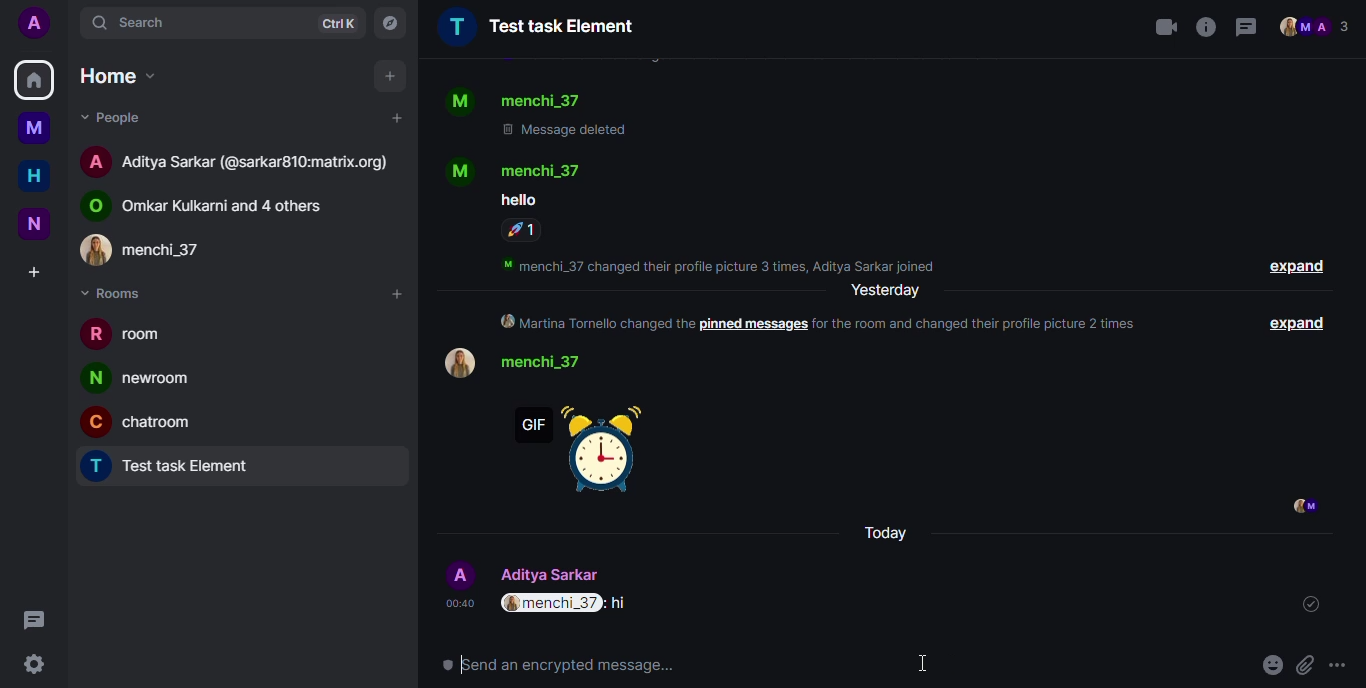 The width and height of the screenshot is (1366, 688). I want to click on profile, so click(34, 24).